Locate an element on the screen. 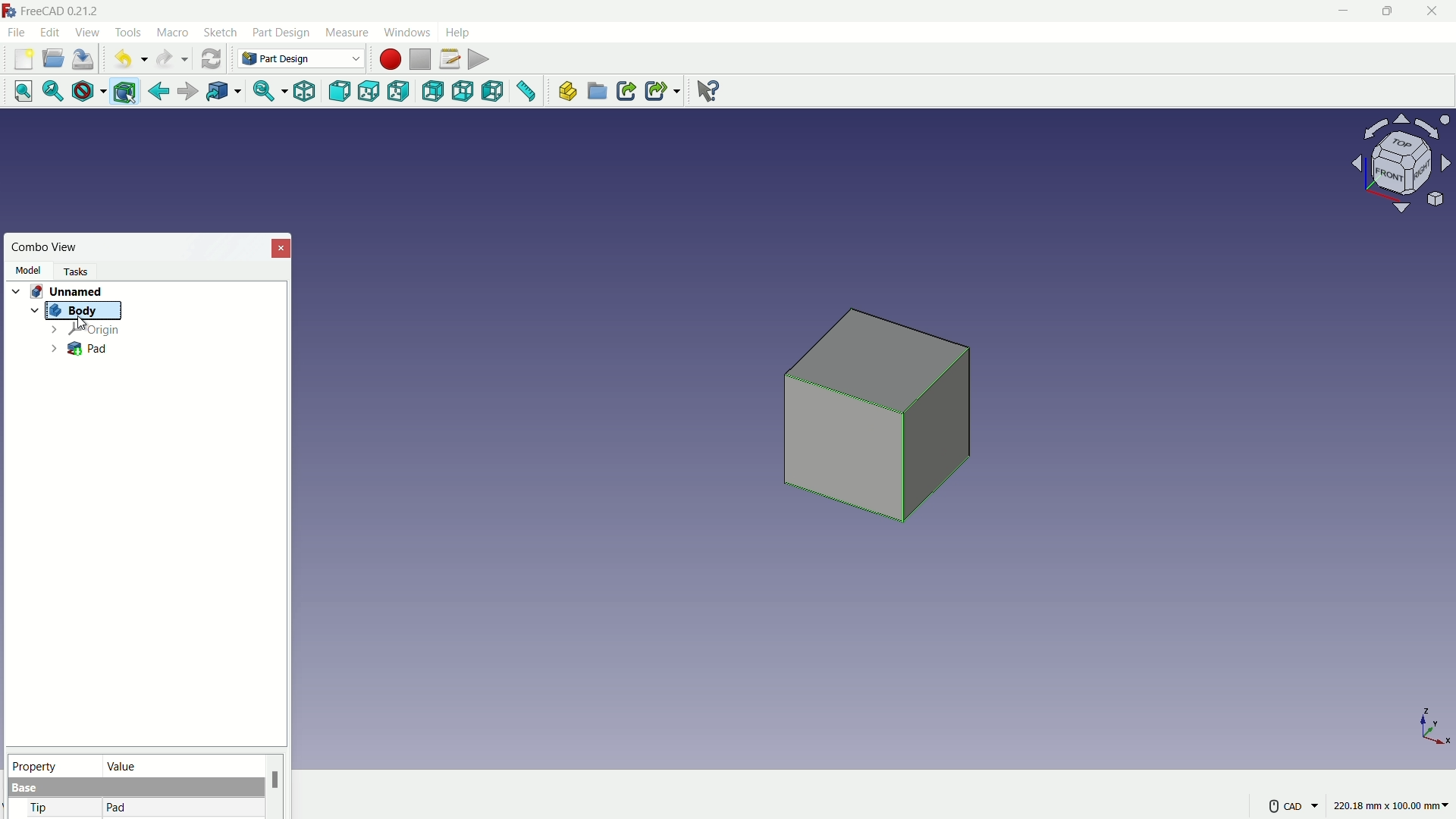  go to linked object is located at coordinates (222, 93).